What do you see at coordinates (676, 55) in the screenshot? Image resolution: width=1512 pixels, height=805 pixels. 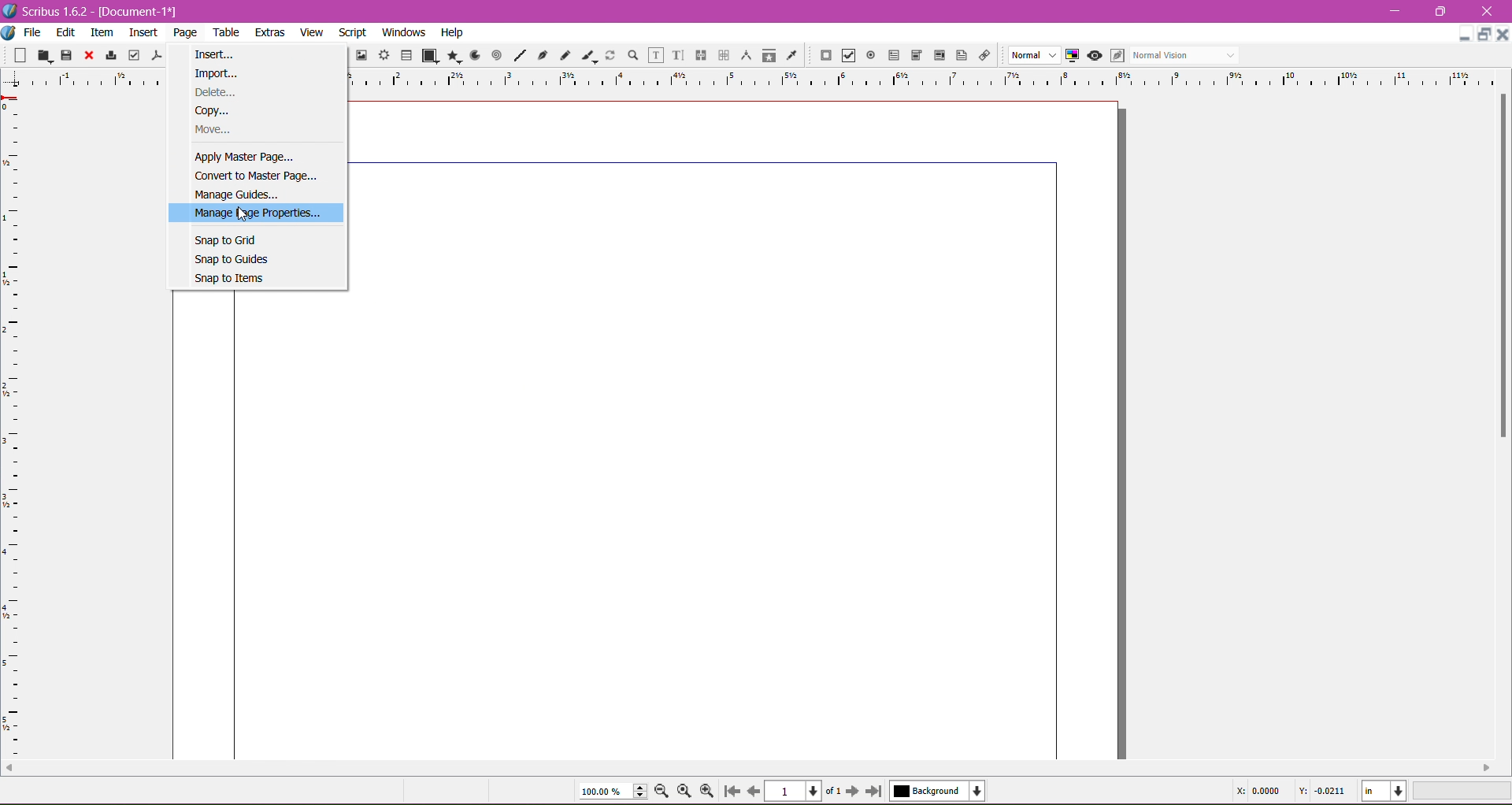 I see `Edit Text with Story Editor` at bounding box center [676, 55].